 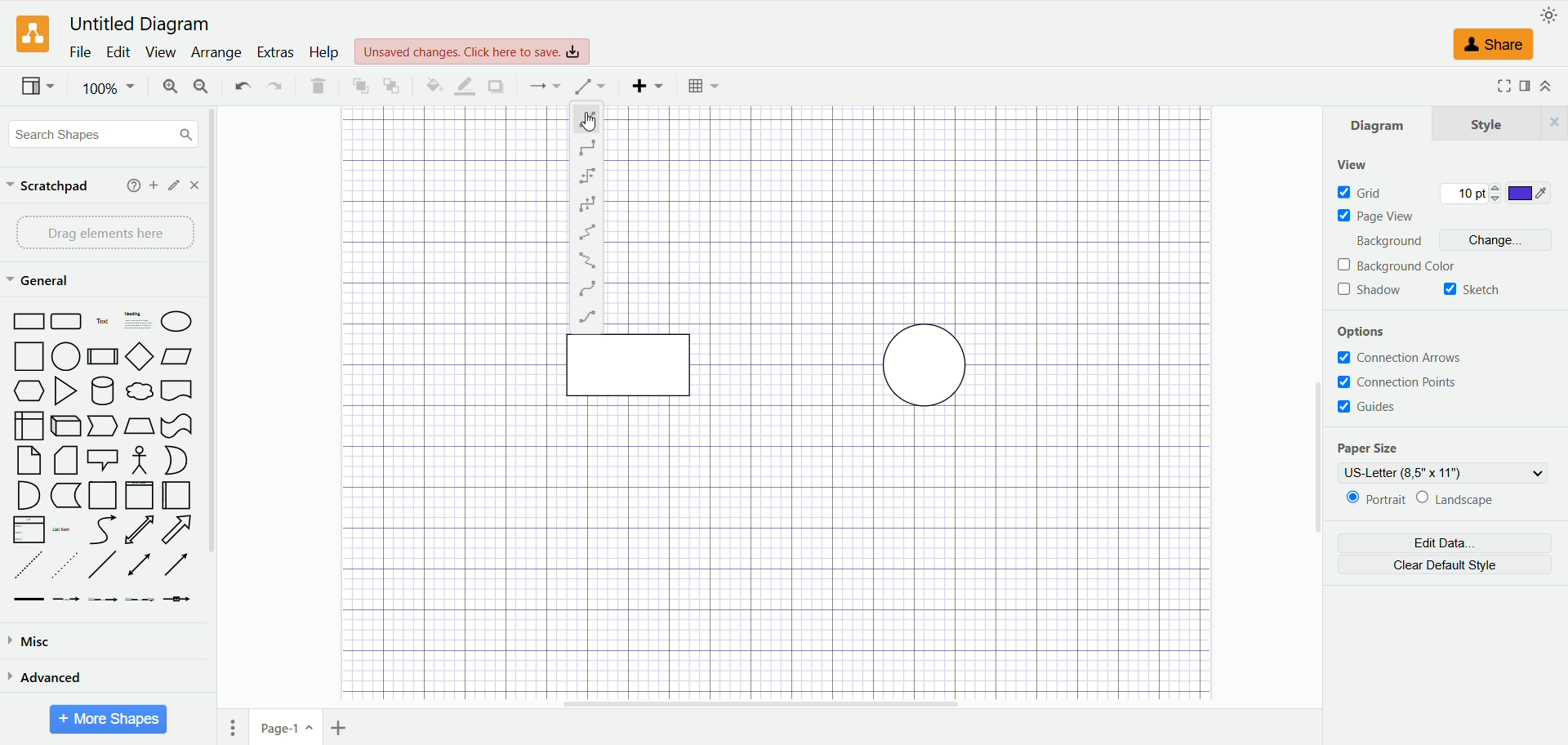 What do you see at coordinates (67, 603) in the screenshot?
I see `Connector with Label` at bounding box center [67, 603].